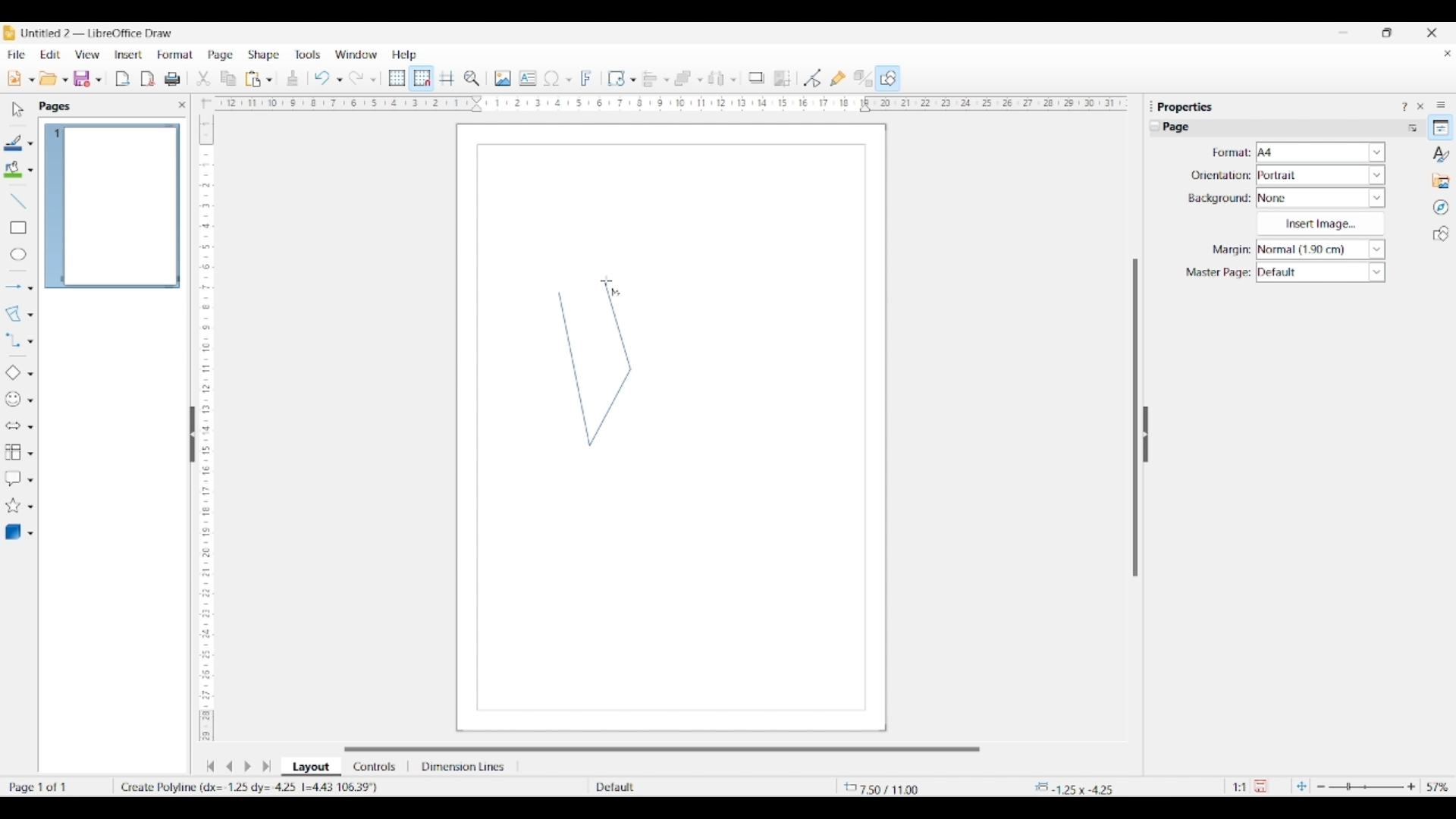  What do you see at coordinates (267, 766) in the screenshot?
I see `Jump to the last slide` at bounding box center [267, 766].